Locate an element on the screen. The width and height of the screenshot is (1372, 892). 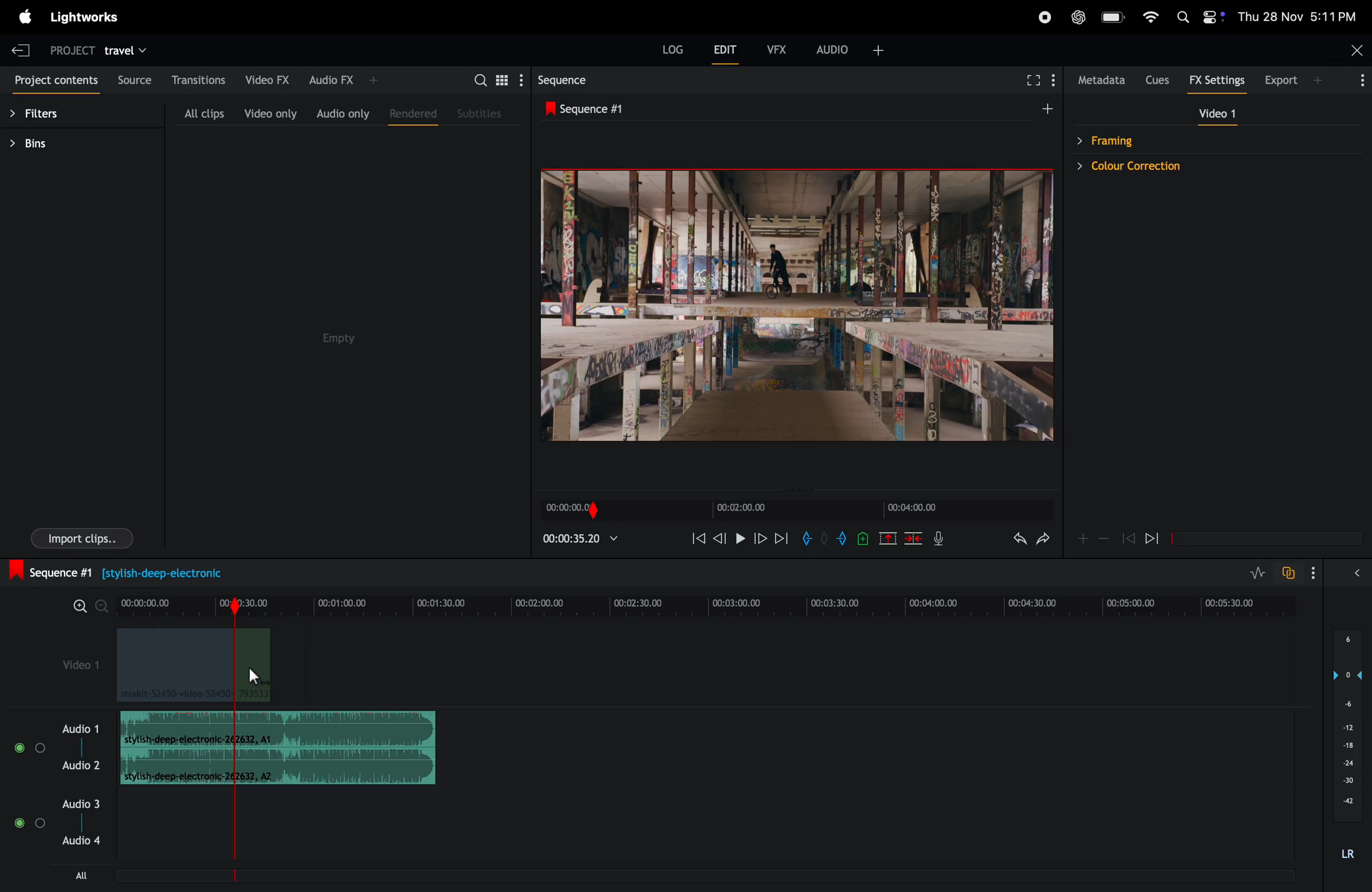
battery is located at coordinates (1114, 16).